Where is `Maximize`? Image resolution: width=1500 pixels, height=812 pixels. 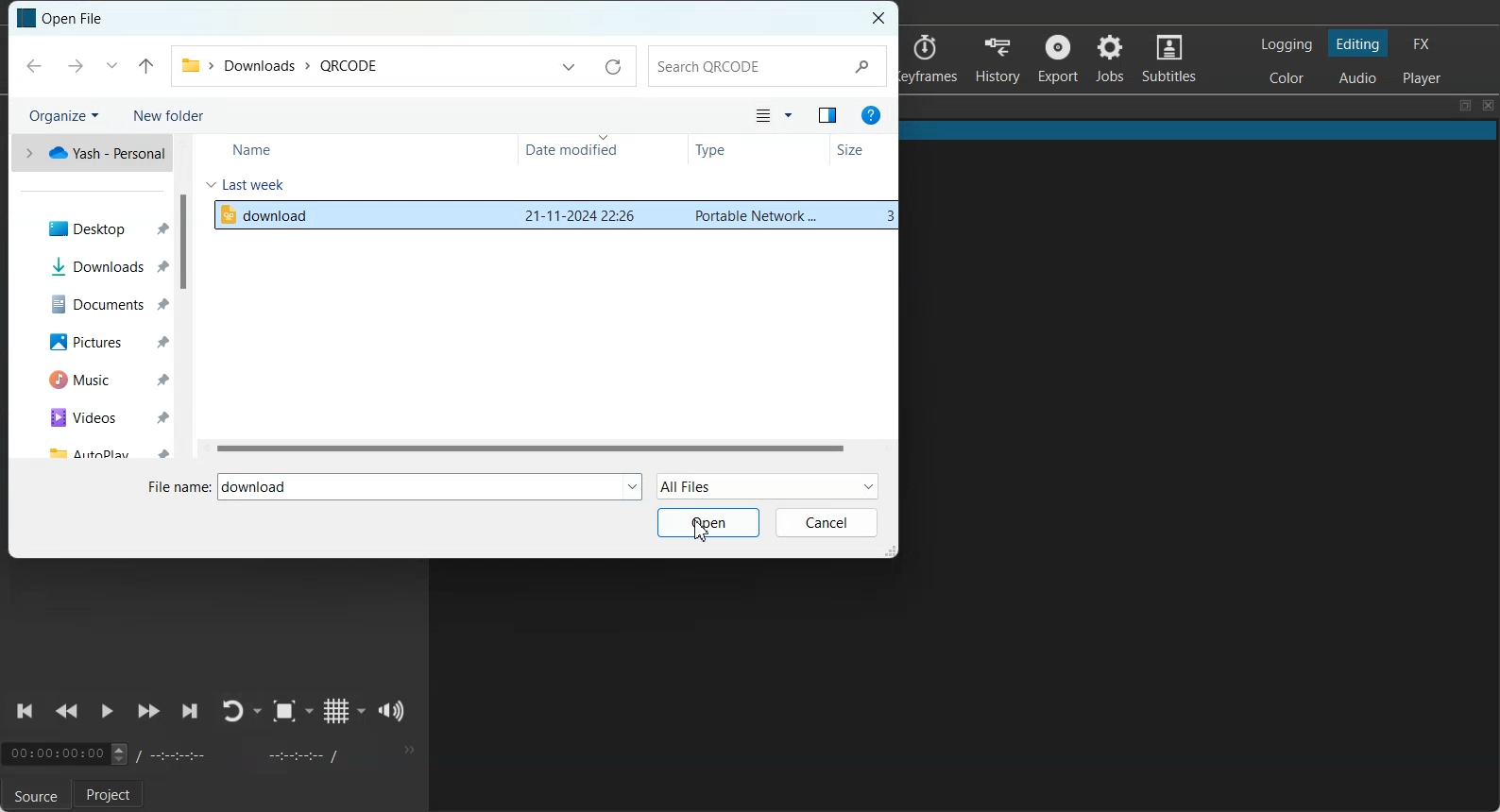
Maximize is located at coordinates (1465, 106).